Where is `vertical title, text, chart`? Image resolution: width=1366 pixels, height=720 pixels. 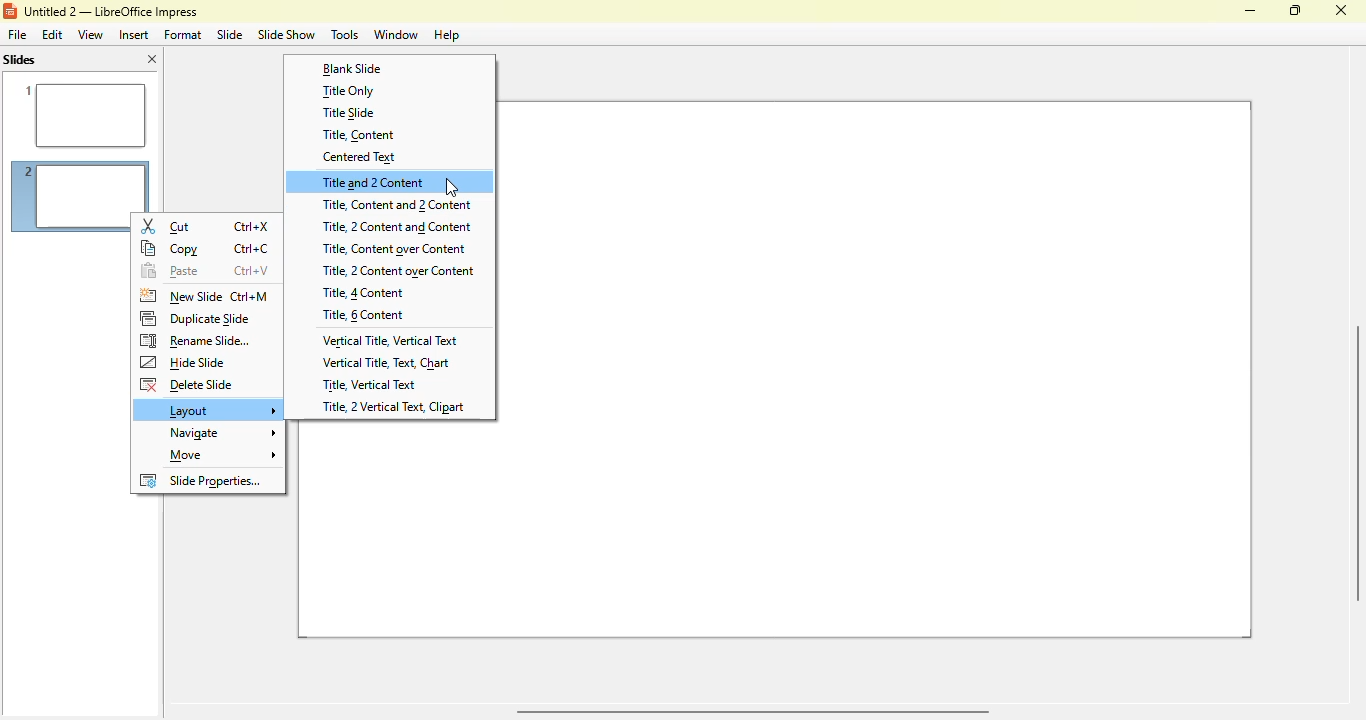 vertical title, text, chart is located at coordinates (386, 364).